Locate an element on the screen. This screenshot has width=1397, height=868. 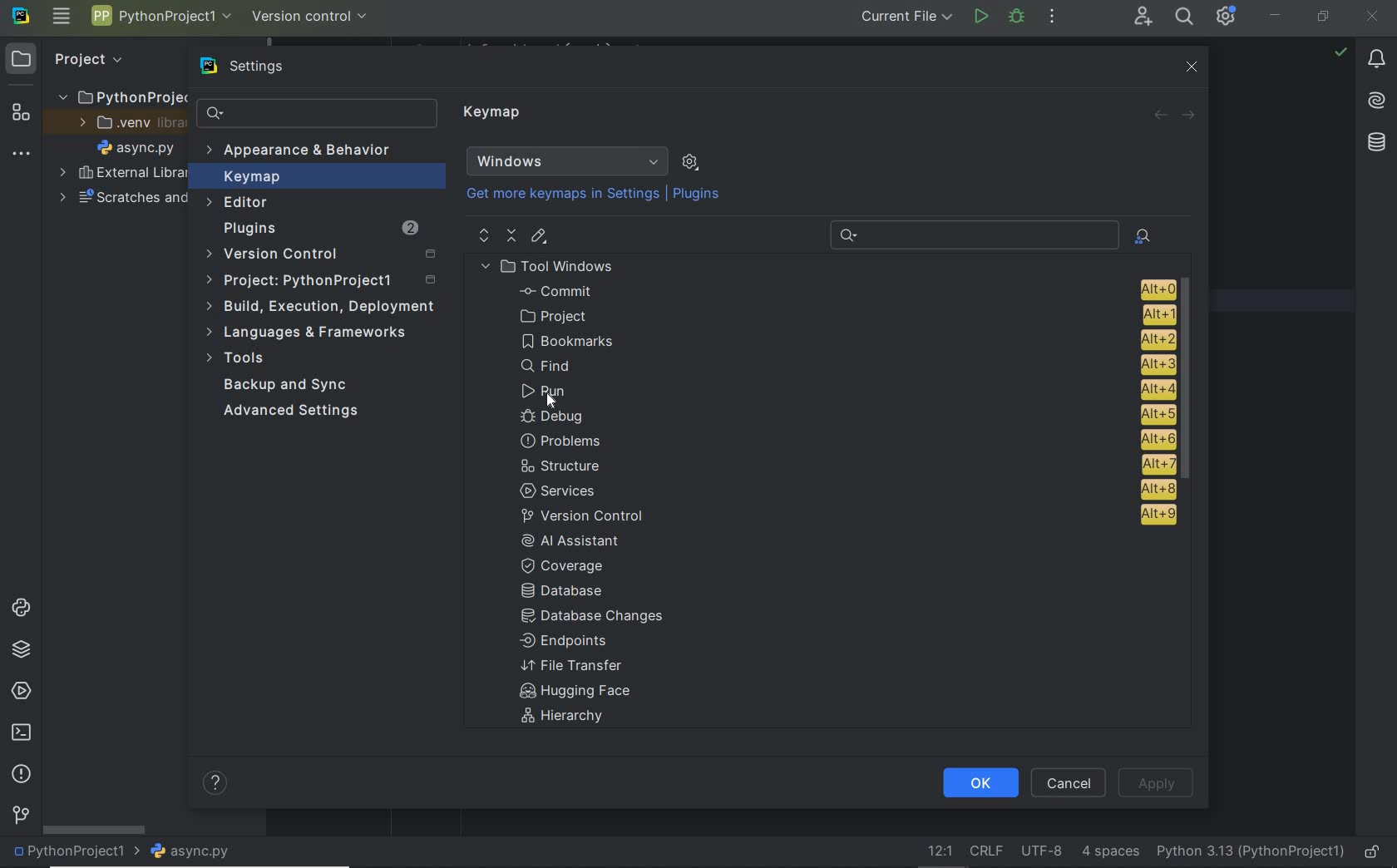
Indent is located at coordinates (1110, 853).